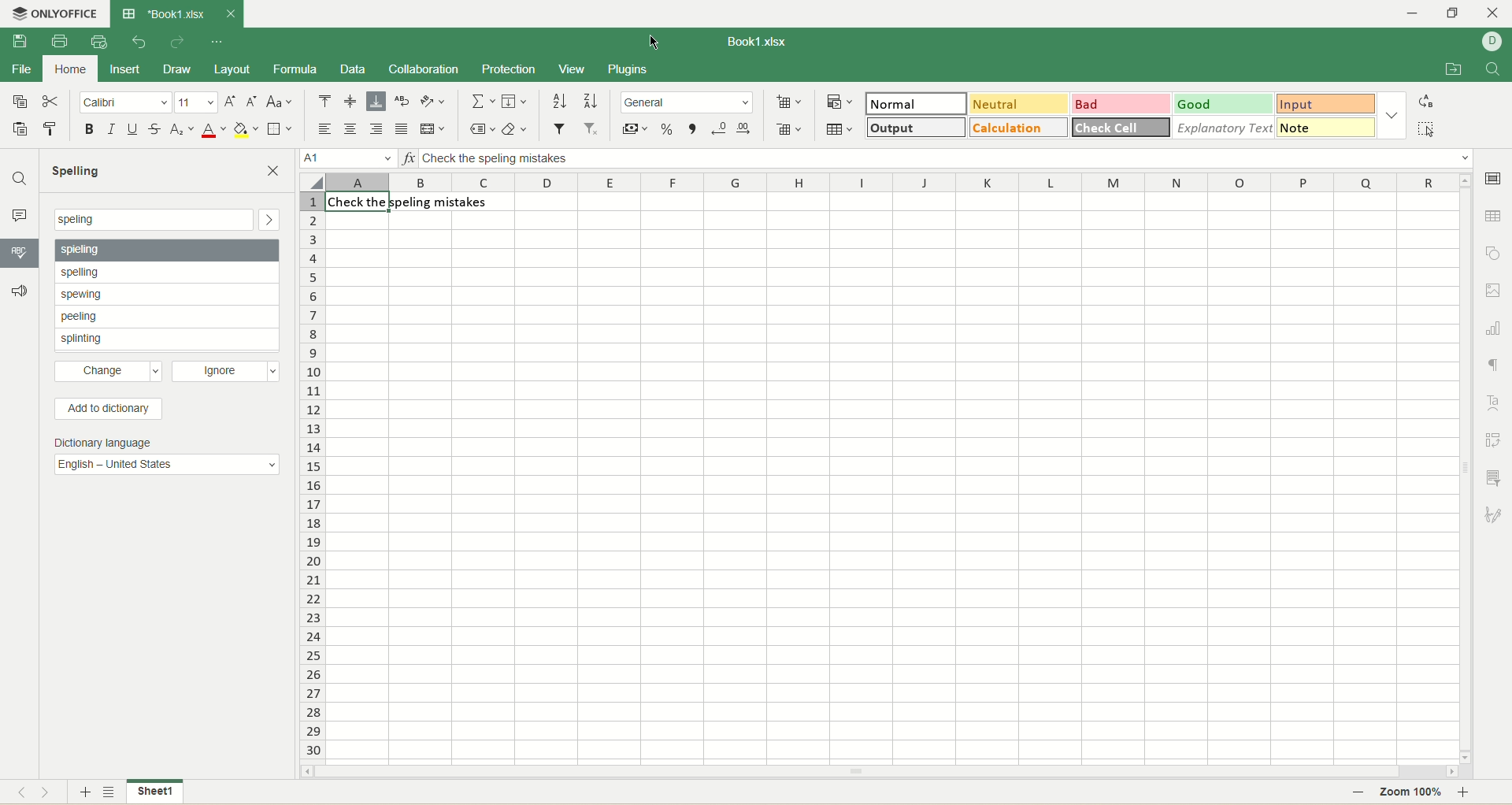  What do you see at coordinates (687, 102) in the screenshot?
I see `number format` at bounding box center [687, 102].